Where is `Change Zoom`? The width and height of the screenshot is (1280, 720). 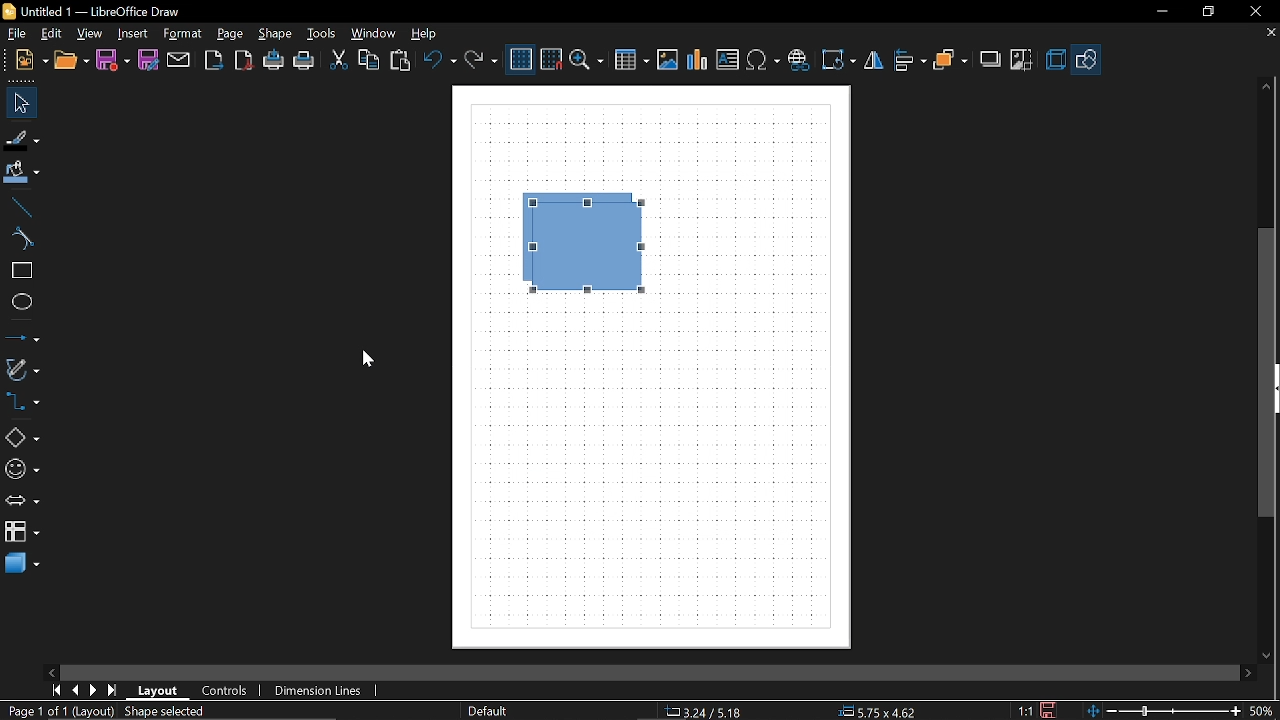 Change Zoom is located at coordinates (1161, 712).